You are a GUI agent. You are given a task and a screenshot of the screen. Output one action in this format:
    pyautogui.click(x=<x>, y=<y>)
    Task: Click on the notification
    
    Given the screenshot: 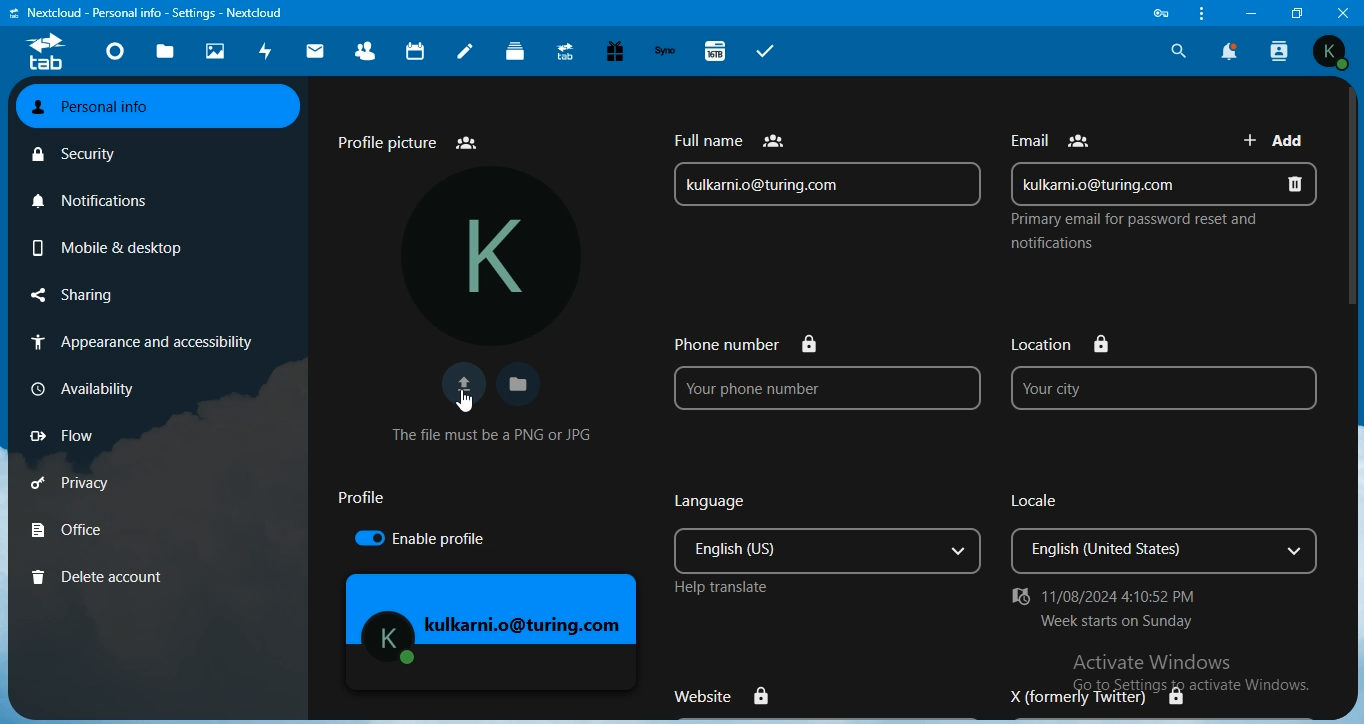 What is the action you would take?
    pyautogui.click(x=1230, y=51)
    